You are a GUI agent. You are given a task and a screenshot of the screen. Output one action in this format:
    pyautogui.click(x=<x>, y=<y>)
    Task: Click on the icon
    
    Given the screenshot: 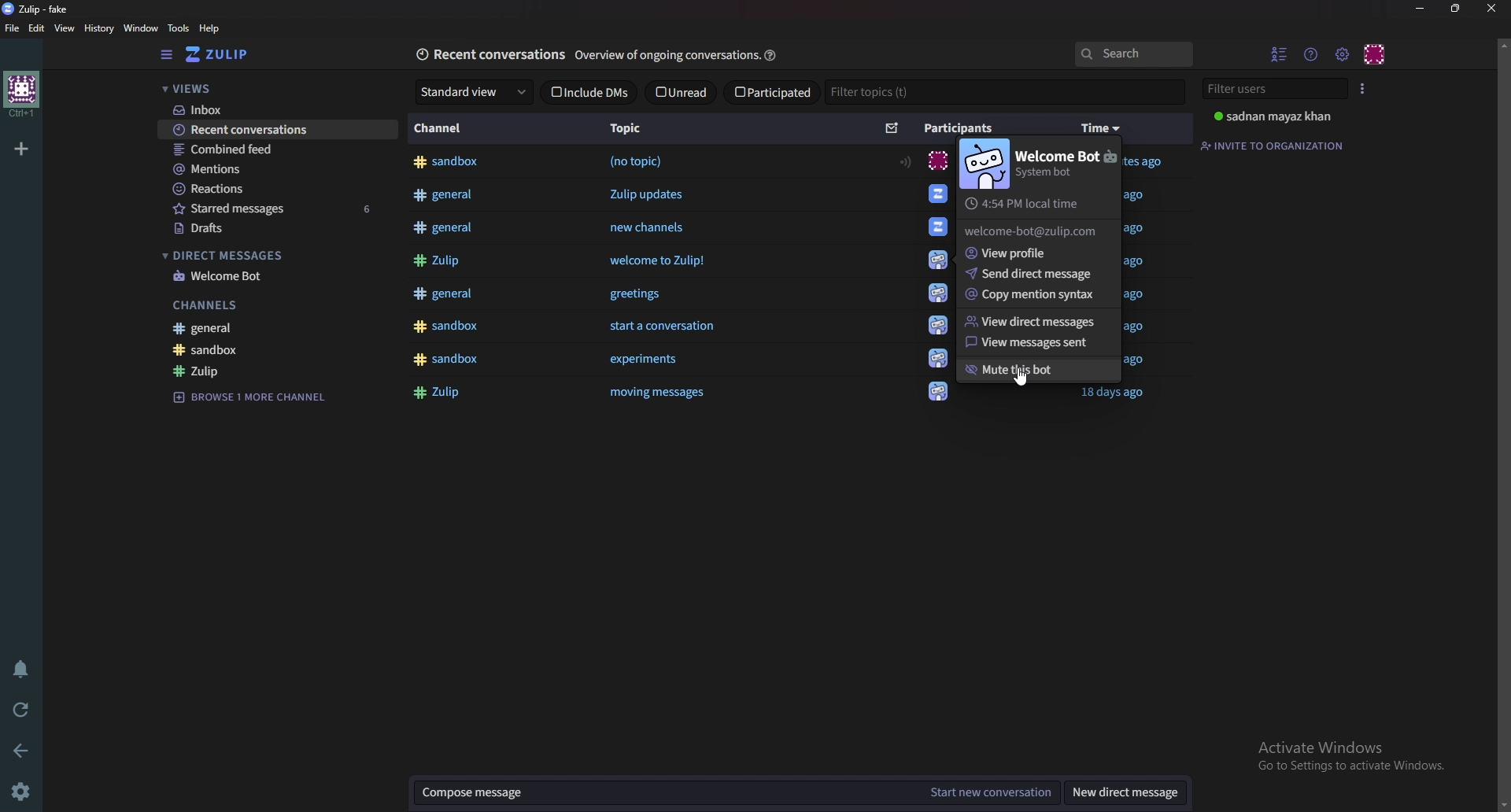 What is the action you would take?
    pyautogui.click(x=930, y=193)
    